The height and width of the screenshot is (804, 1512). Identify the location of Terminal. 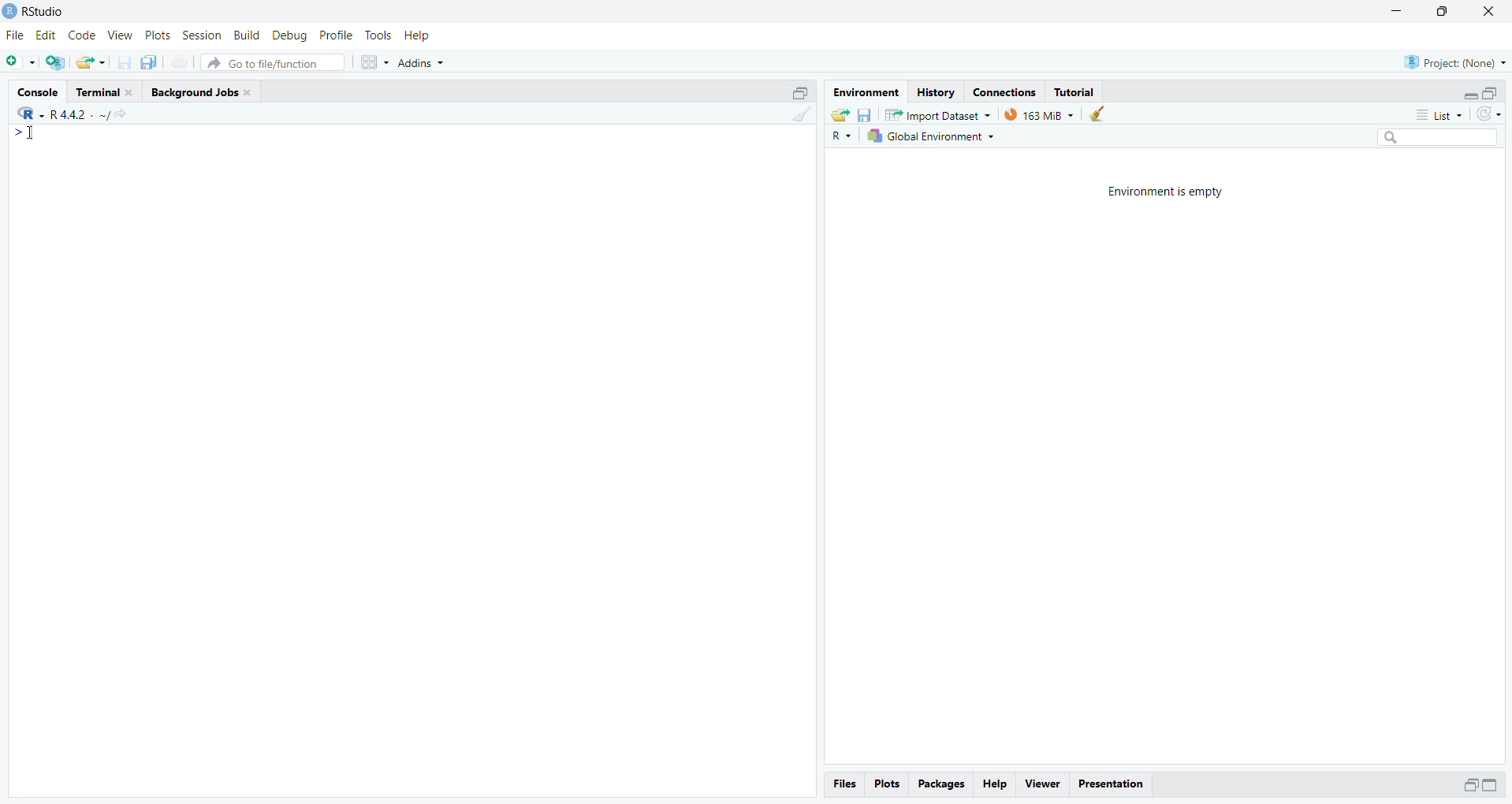
(98, 92).